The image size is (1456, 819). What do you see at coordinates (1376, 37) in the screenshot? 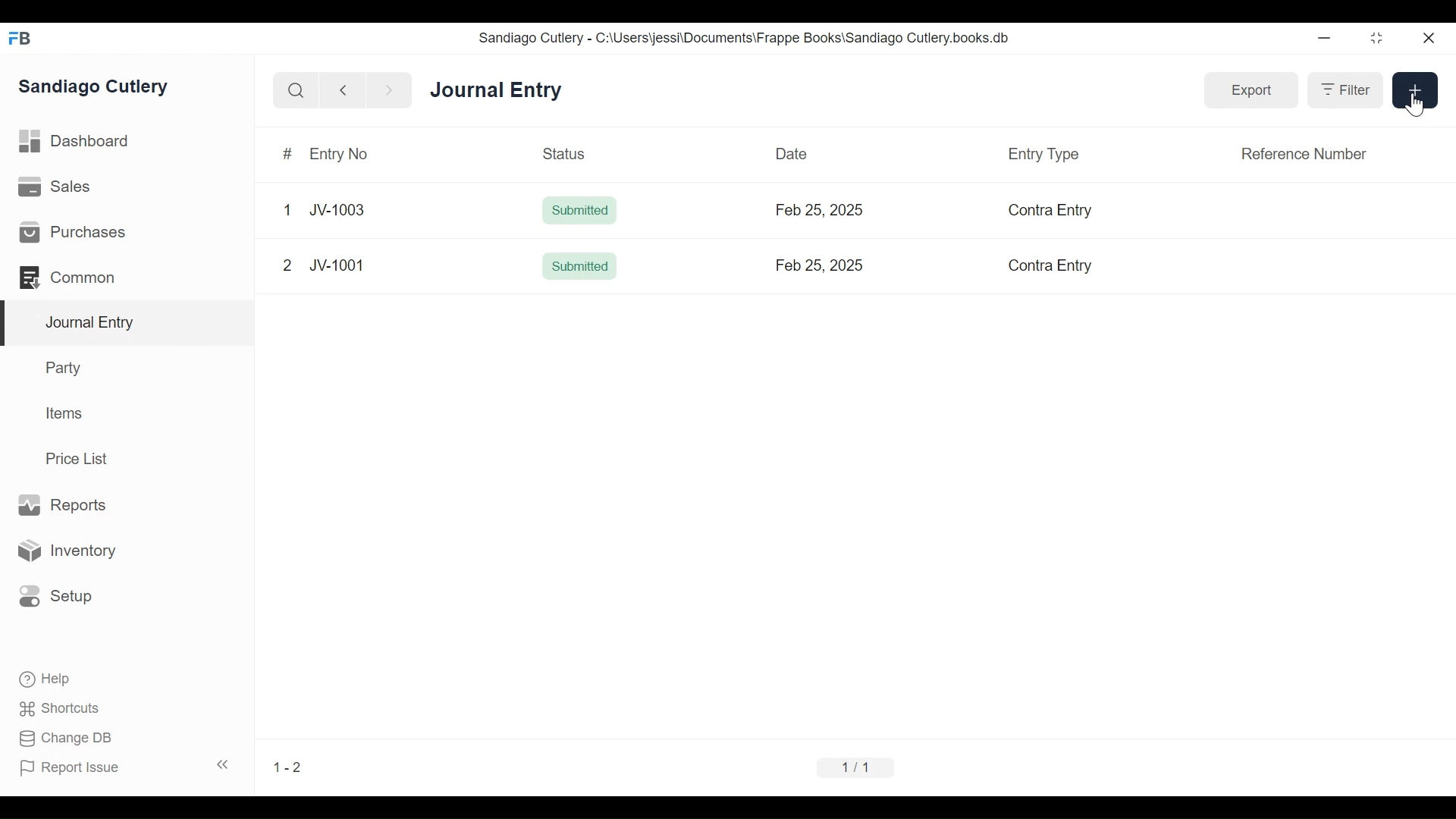
I see `Restore` at bounding box center [1376, 37].